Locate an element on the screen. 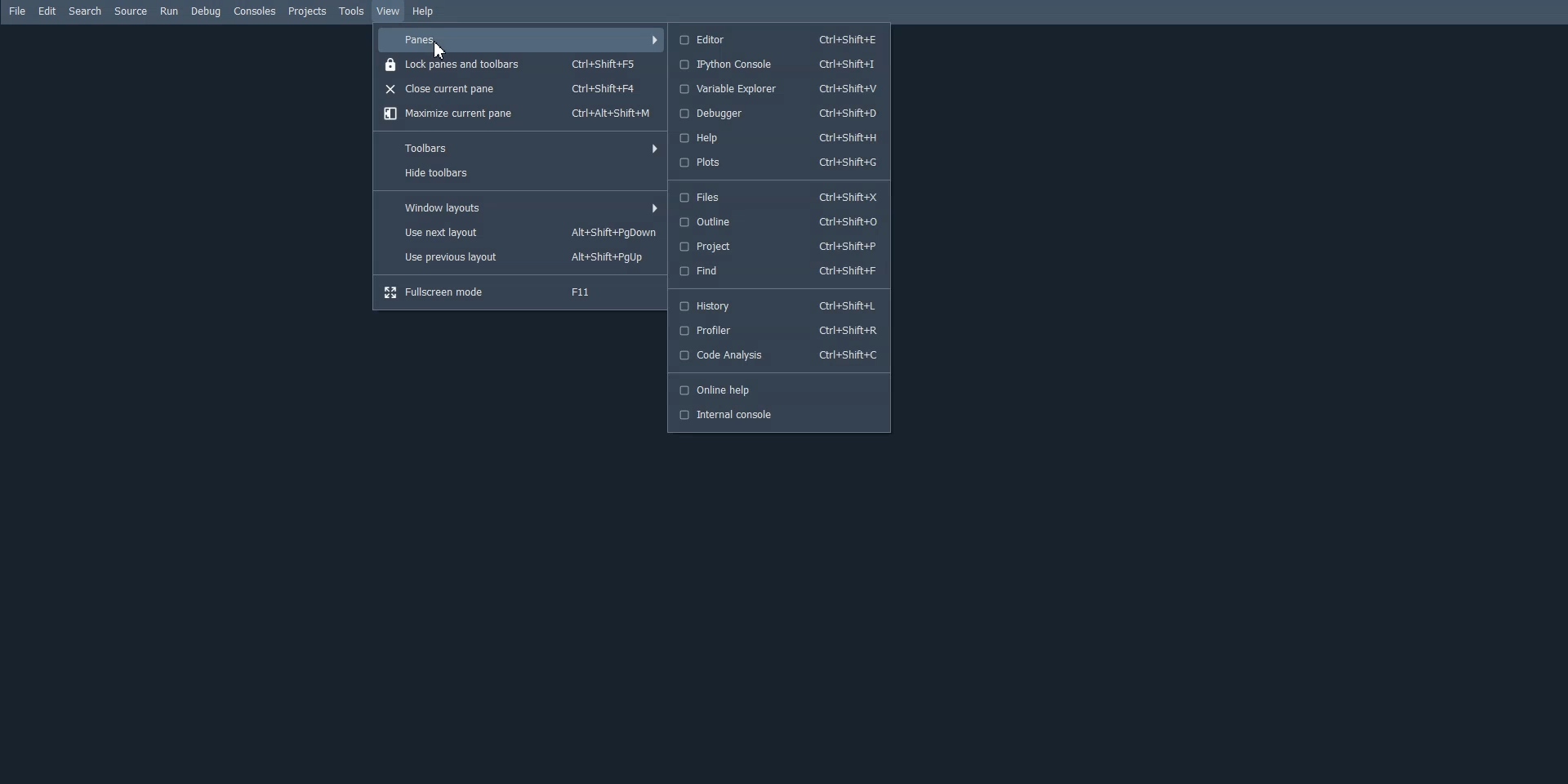  Debug is located at coordinates (205, 12).